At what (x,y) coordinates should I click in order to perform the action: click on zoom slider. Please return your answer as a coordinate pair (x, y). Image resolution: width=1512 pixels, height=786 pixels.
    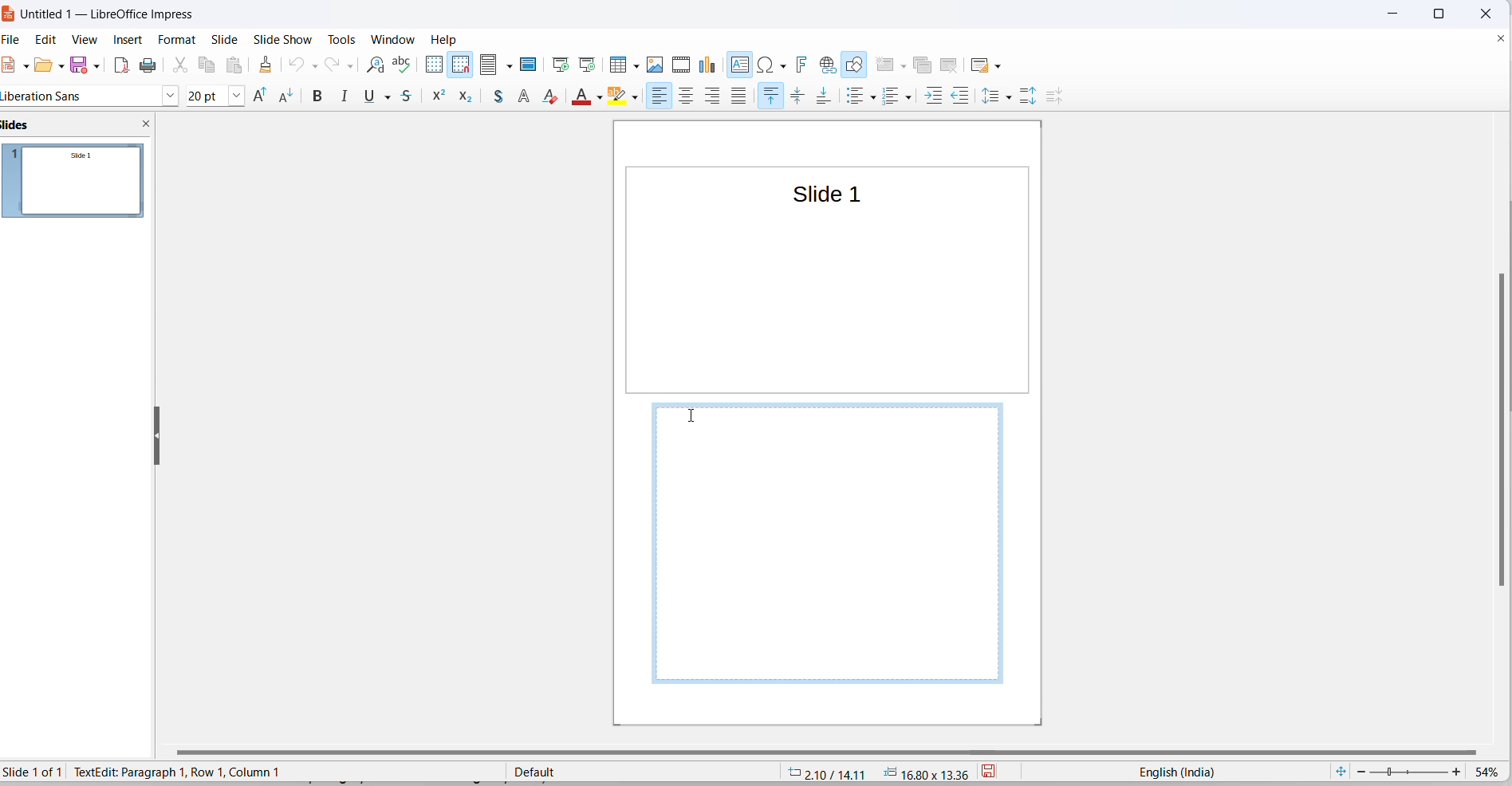
    Looking at the image, I should click on (1409, 771).